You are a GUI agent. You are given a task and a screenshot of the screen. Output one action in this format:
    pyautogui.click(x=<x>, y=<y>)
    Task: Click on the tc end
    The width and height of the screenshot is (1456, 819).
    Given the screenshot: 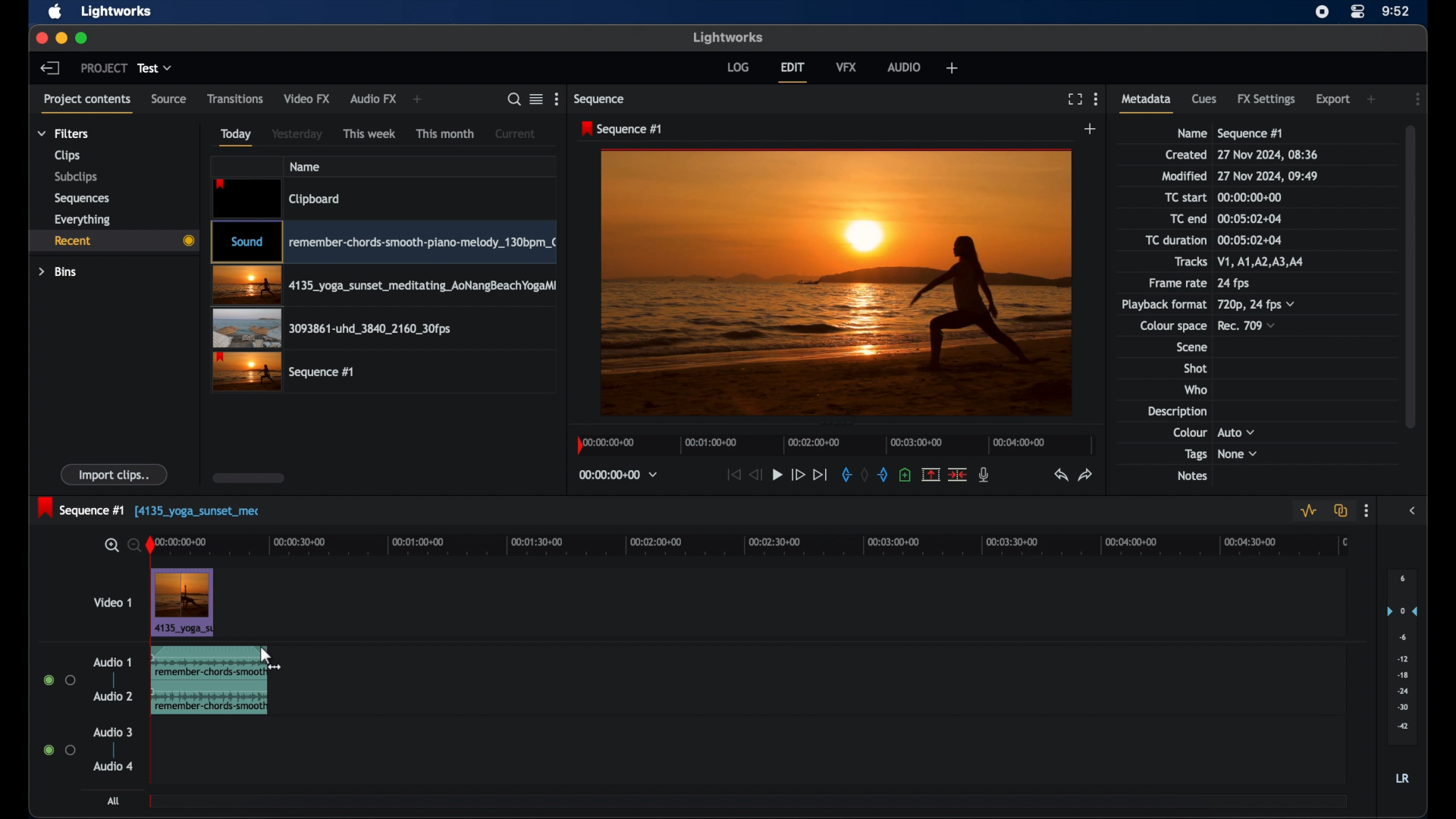 What is the action you would take?
    pyautogui.click(x=1250, y=218)
    